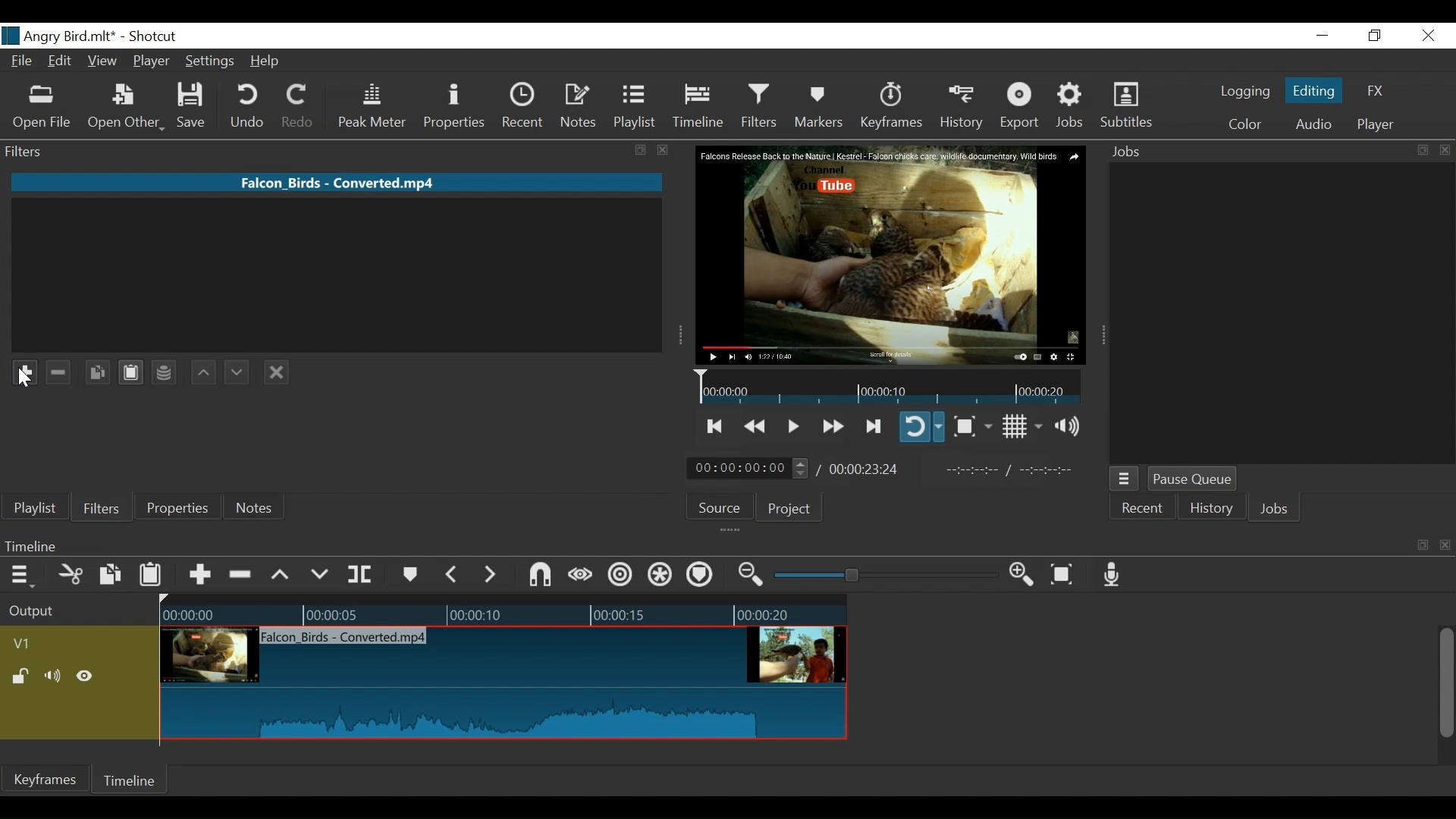  Describe the element at coordinates (504, 611) in the screenshot. I see `Timeline` at that location.